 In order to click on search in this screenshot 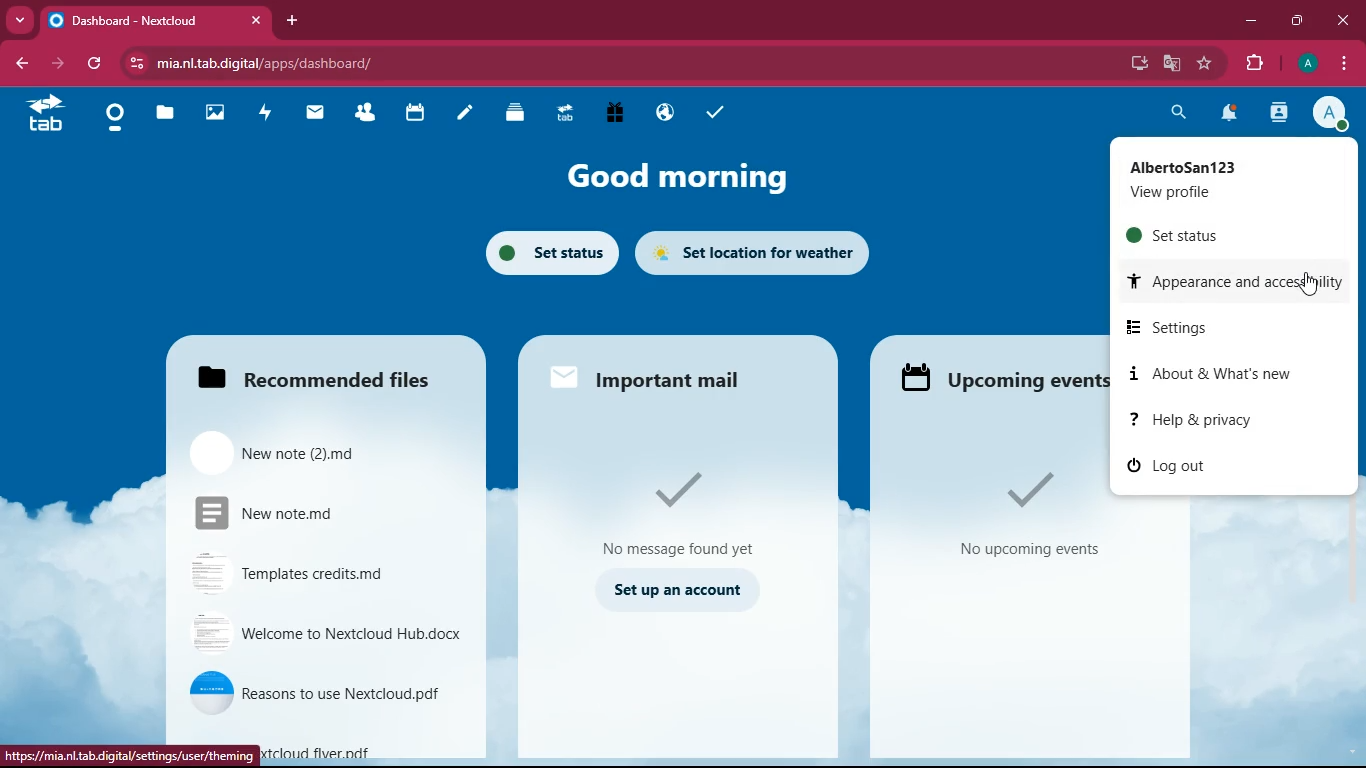, I will do `click(1176, 115)`.